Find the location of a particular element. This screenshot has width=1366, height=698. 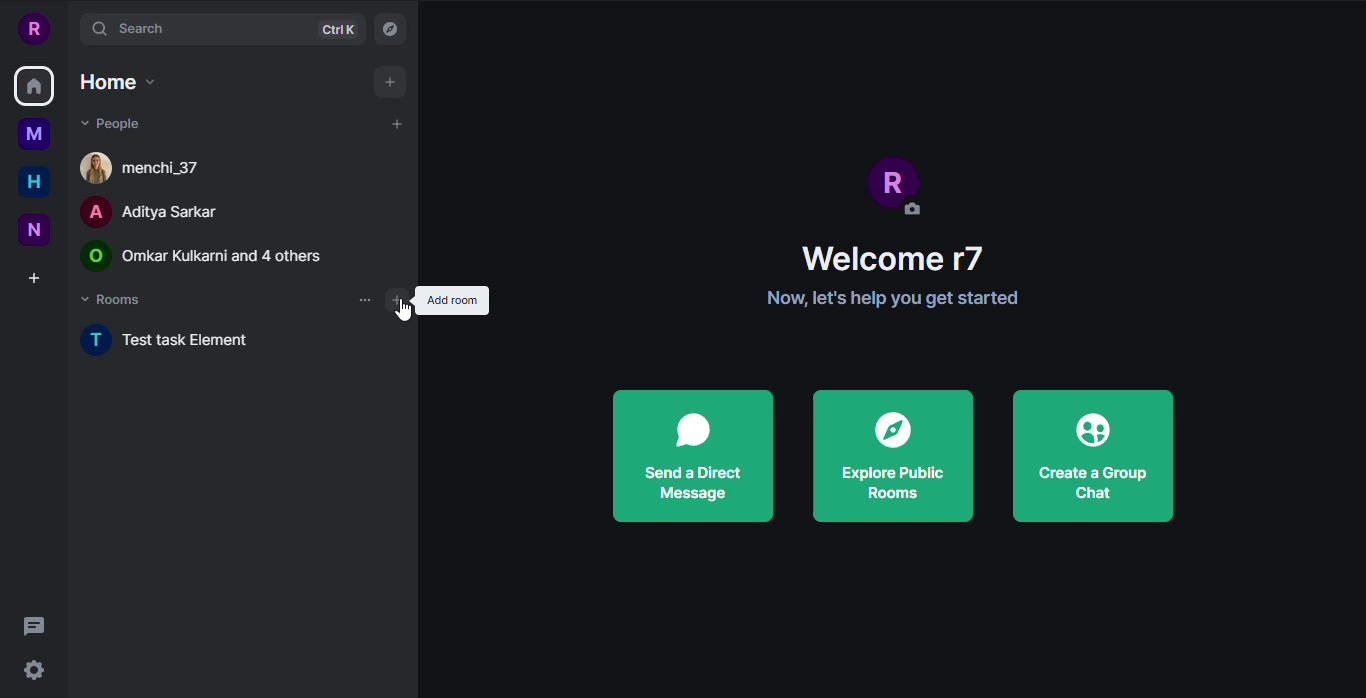

myspace is located at coordinates (34, 134).